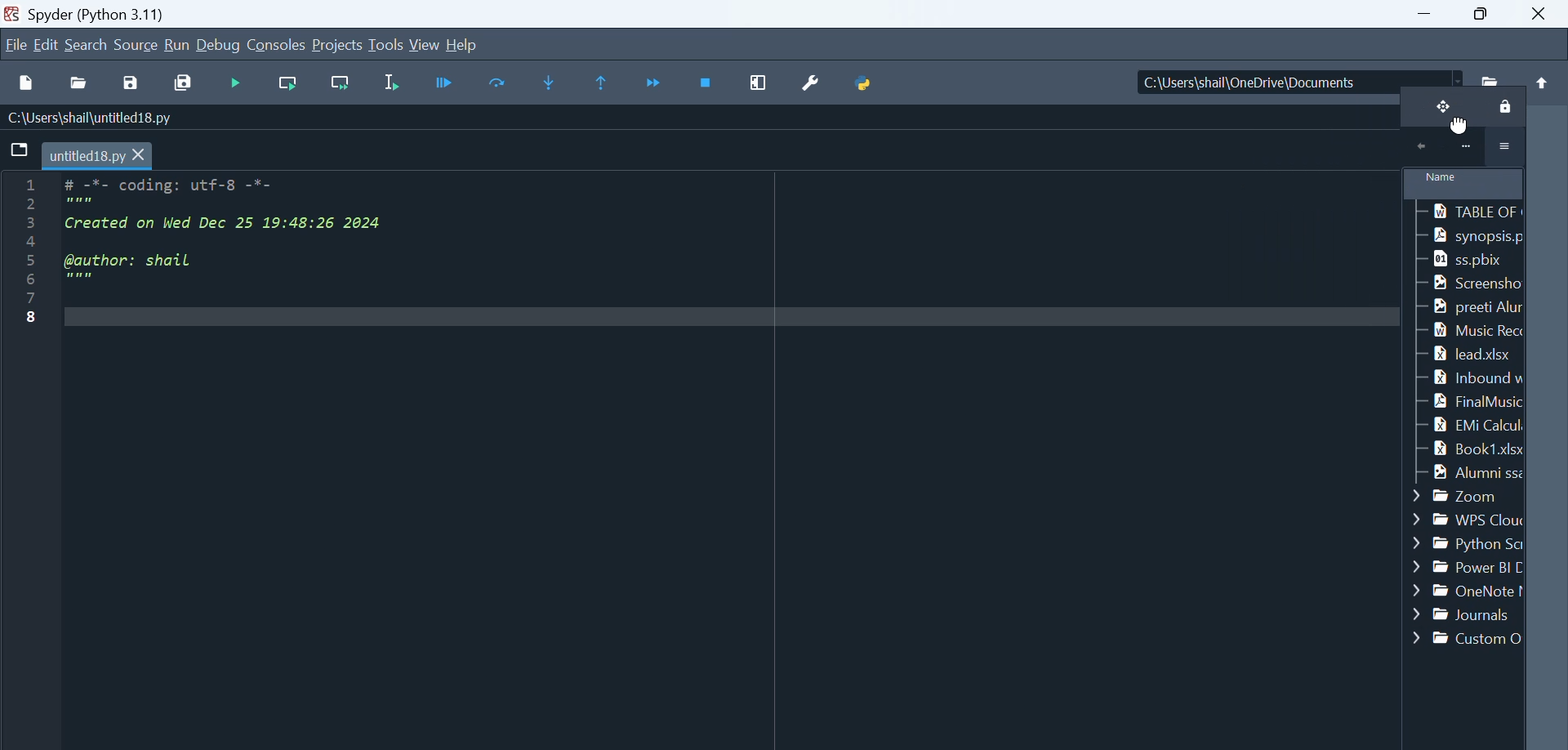 The width and height of the screenshot is (1568, 750). Describe the element at coordinates (1467, 422) in the screenshot. I see `EM: Calcul:..` at that location.